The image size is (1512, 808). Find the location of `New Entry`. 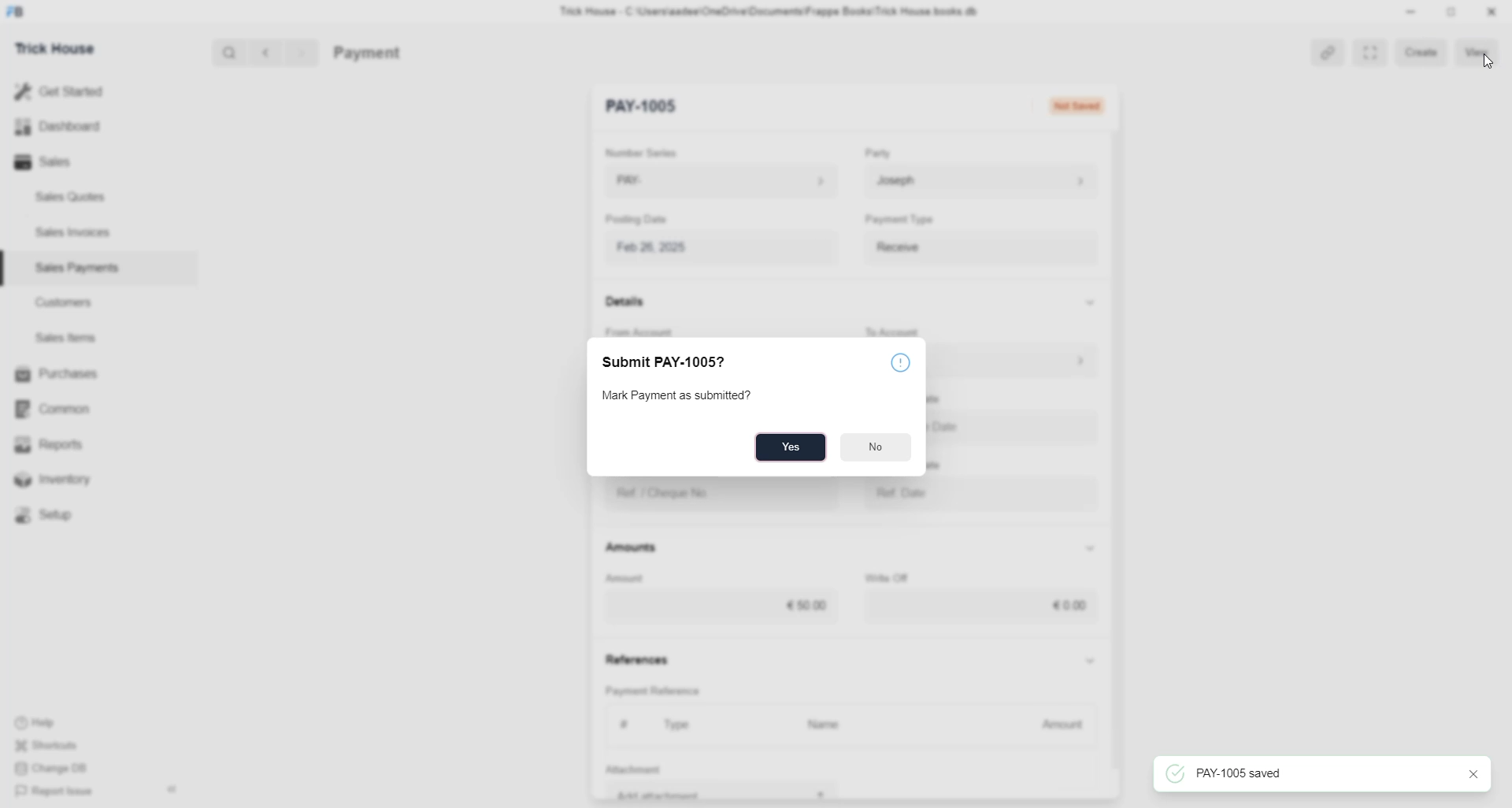

New Entry is located at coordinates (645, 106).